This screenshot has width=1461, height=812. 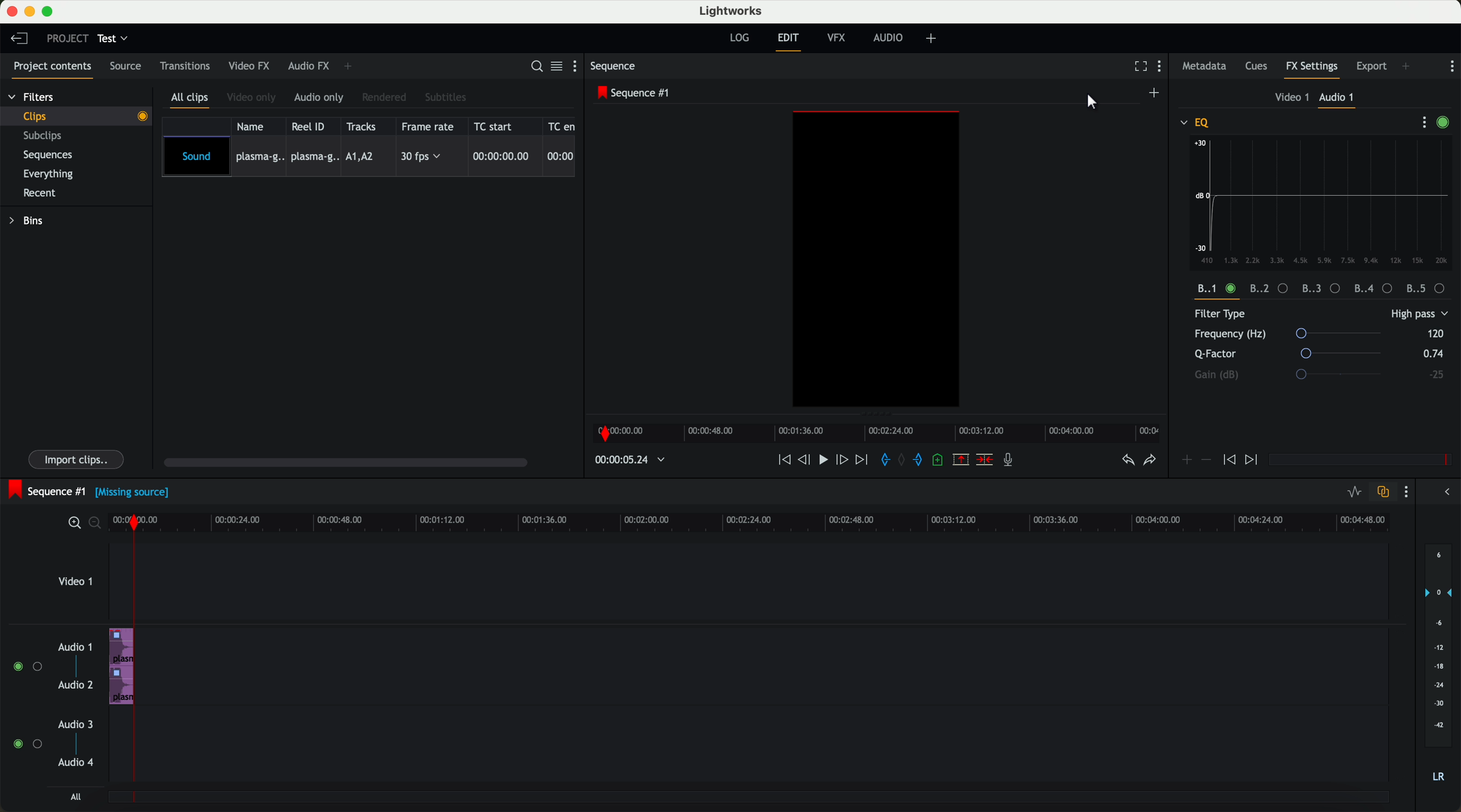 I want to click on remove the marked section, so click(x=961, y=460).